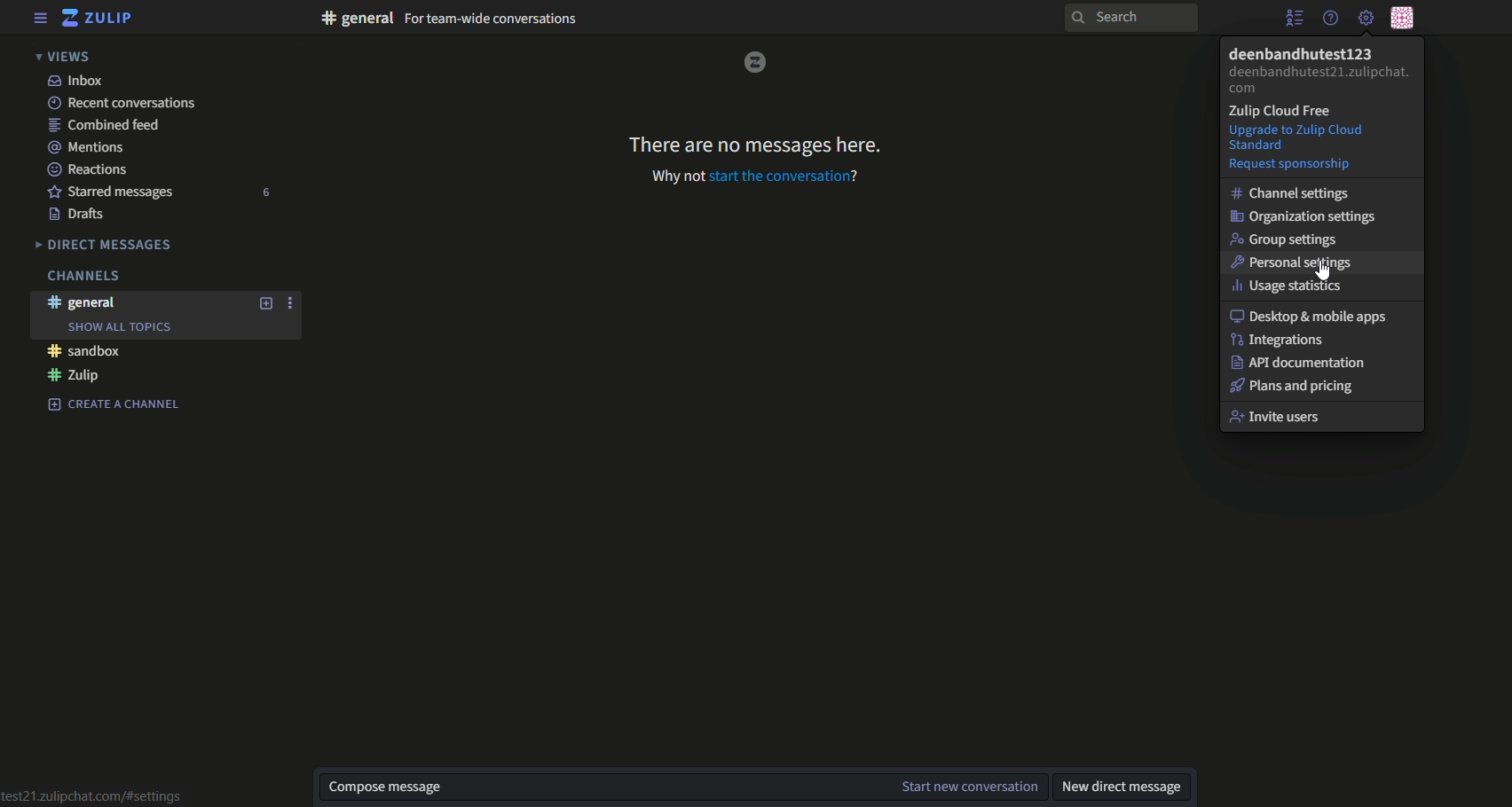  I want to click on User name, so click(1300, 53).